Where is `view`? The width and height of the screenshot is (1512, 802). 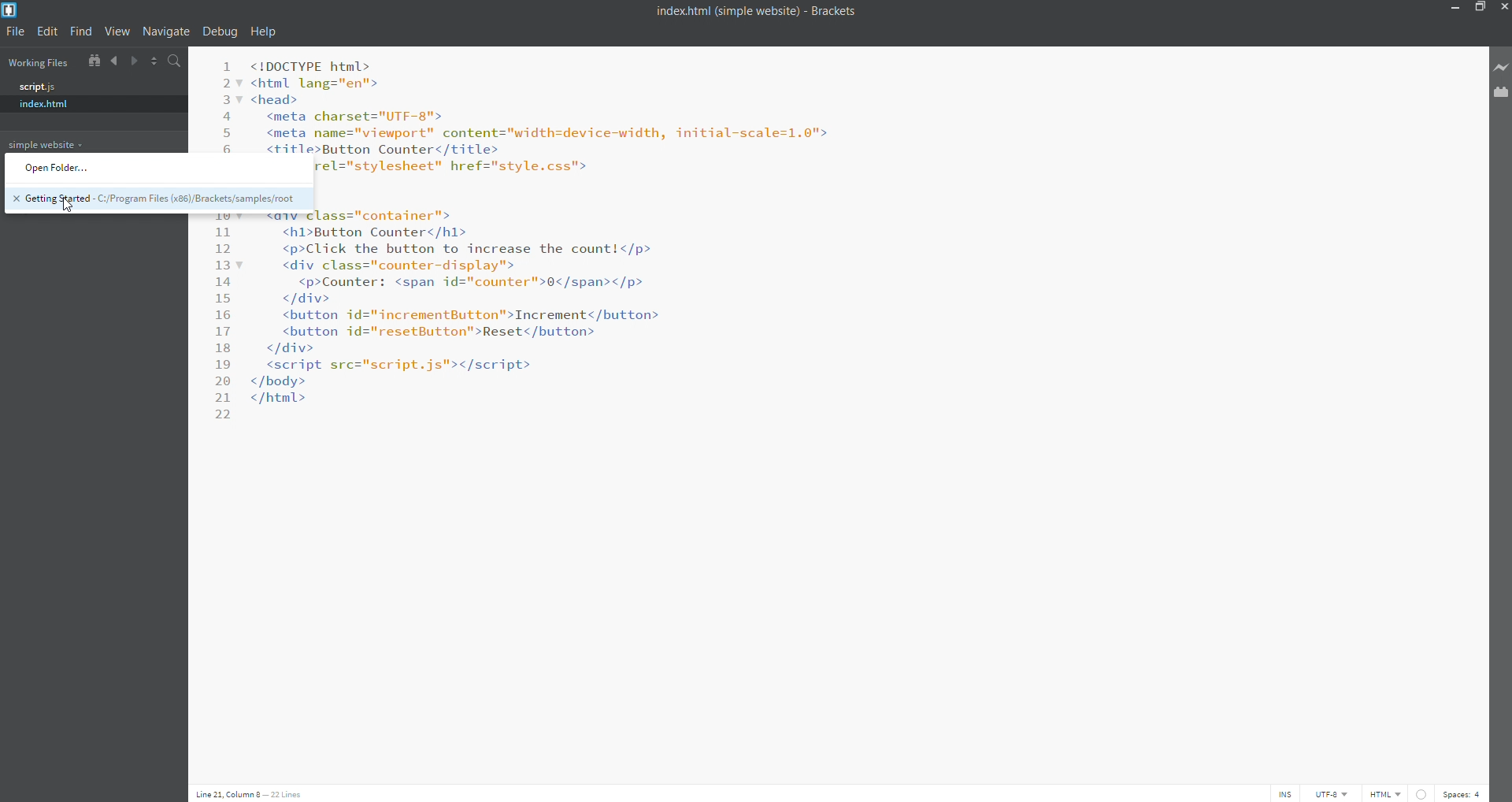
view is located at coordinates (117, 32).